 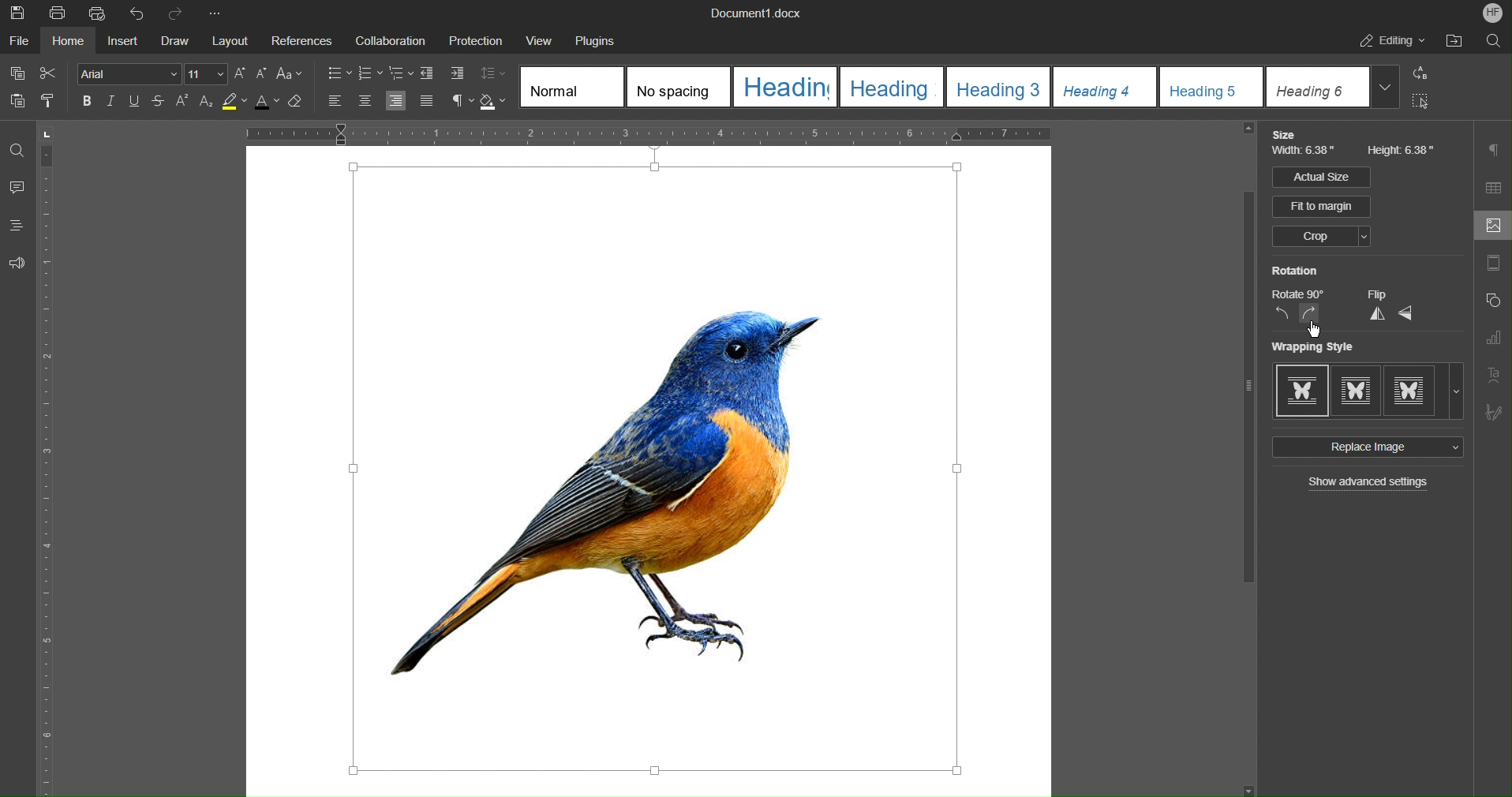 What do you see at coordinates (1377, 296) in the screenshot?
I see `Flip` at bounding box center [1377, 296].